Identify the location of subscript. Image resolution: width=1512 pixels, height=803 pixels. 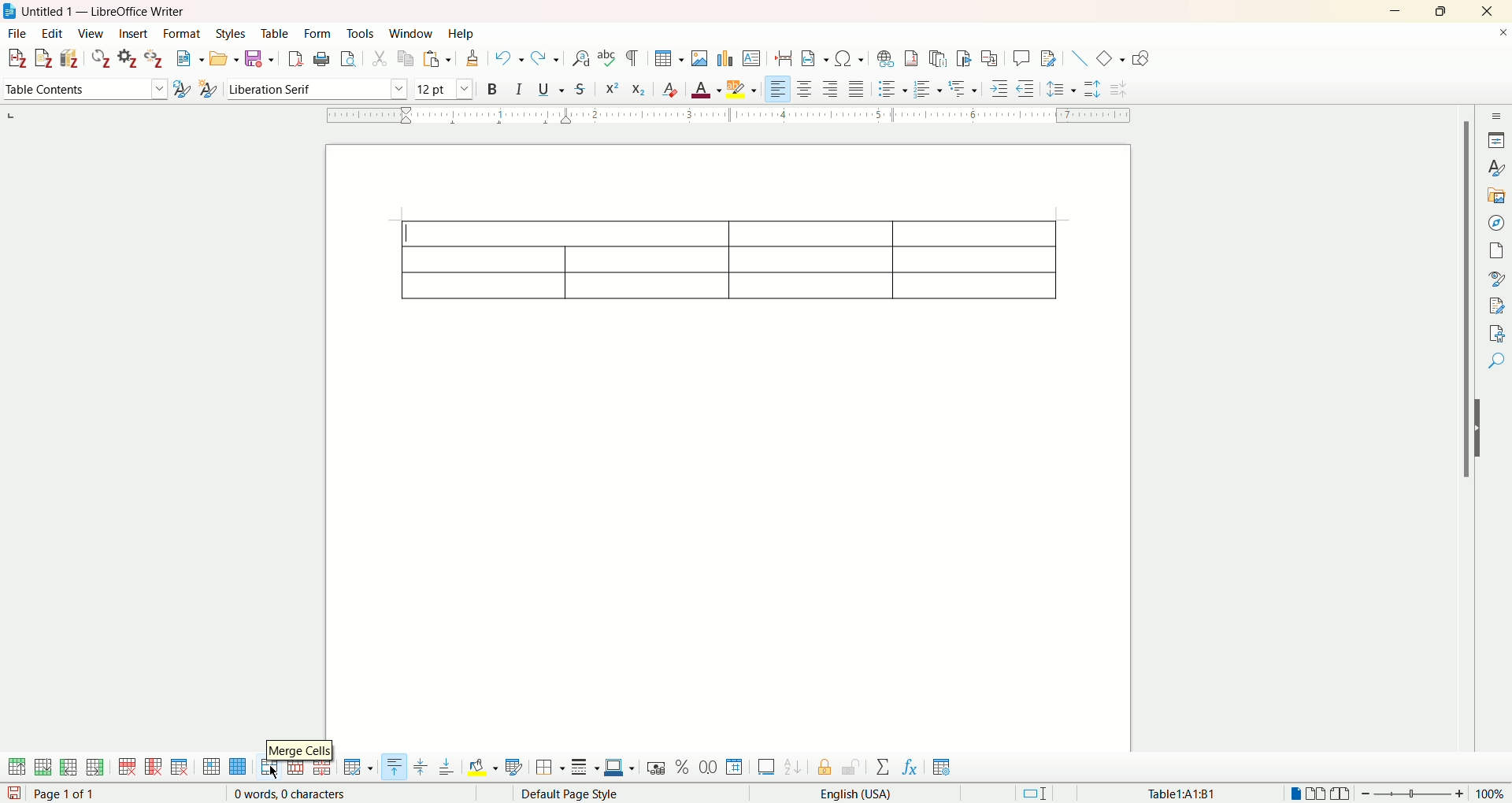
(639, 89).